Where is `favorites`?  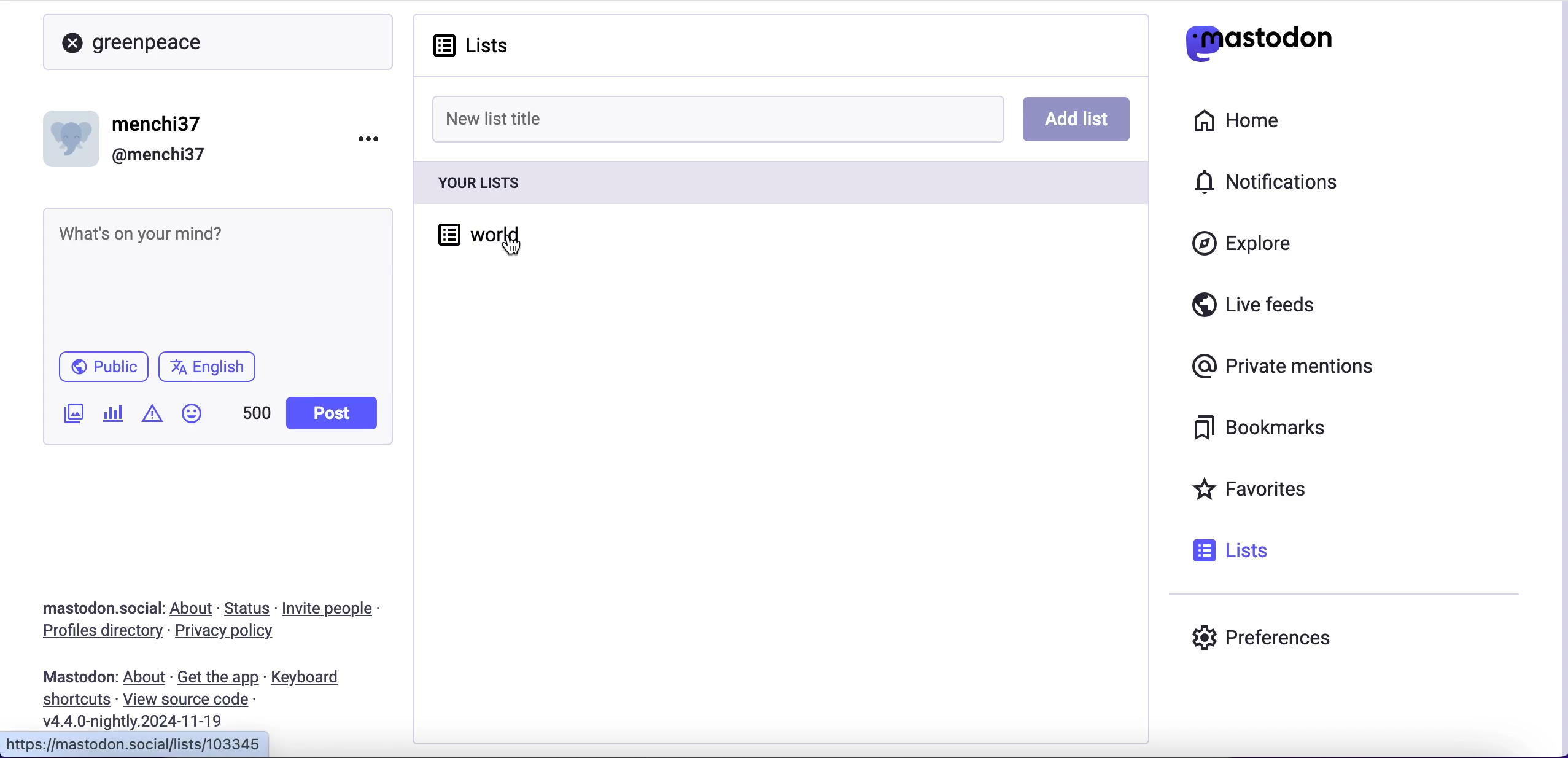 favorites is located at coordinates (1254, 491).